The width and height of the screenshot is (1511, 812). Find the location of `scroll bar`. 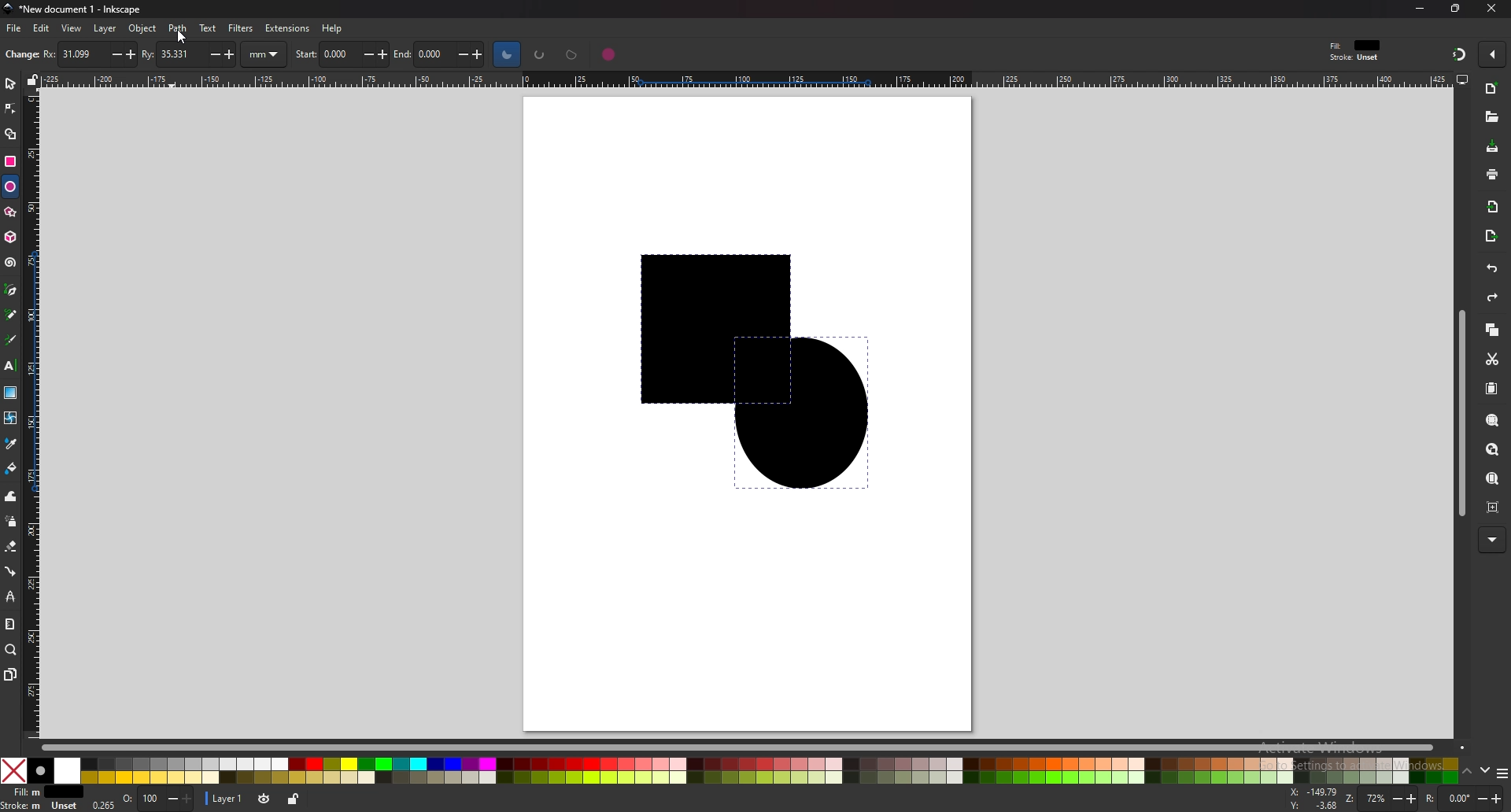

scroll bar is located at coordinates (743, 746).